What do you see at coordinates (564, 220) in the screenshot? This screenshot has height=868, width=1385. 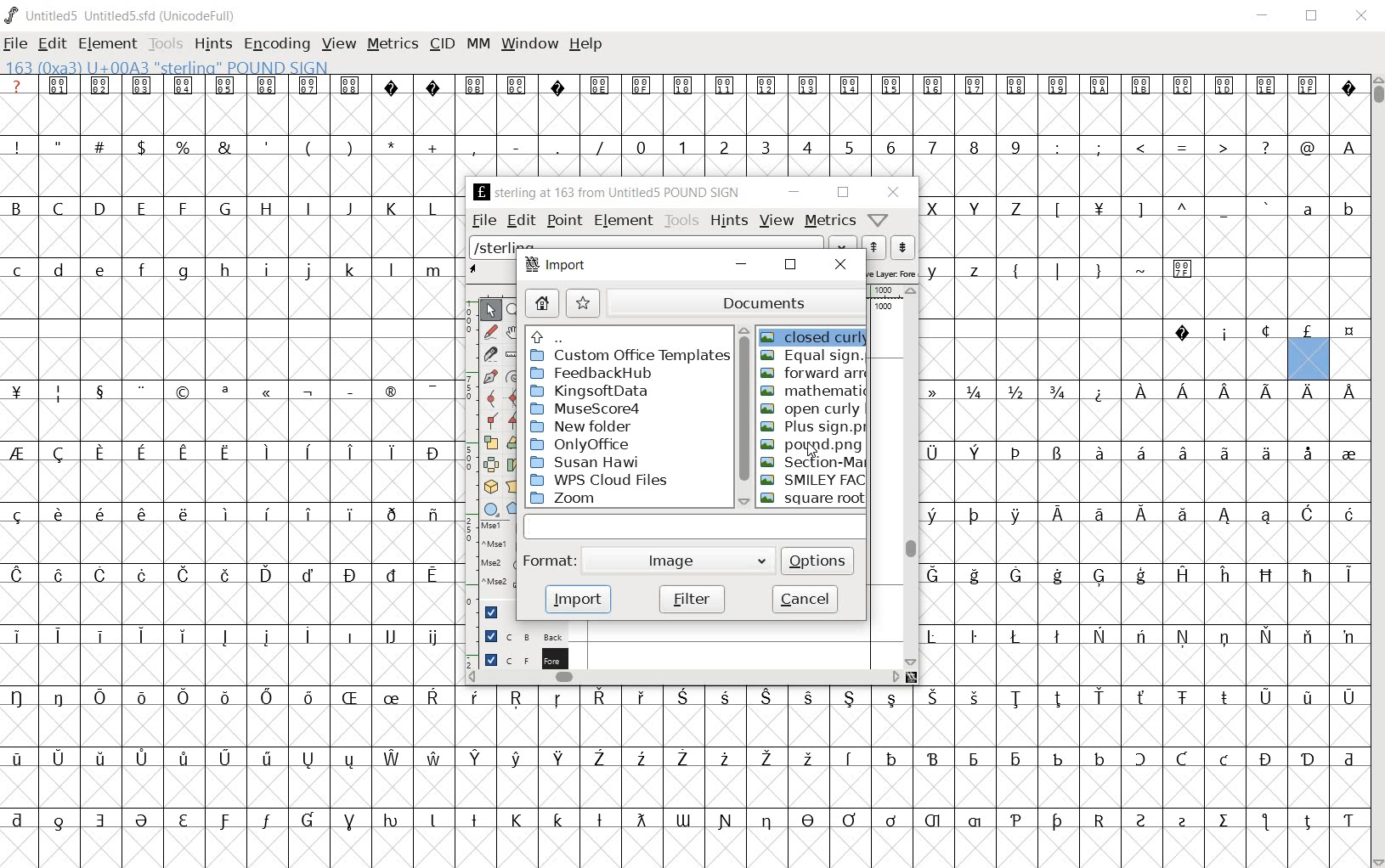 I see `point` at bounding box center [564, 220].